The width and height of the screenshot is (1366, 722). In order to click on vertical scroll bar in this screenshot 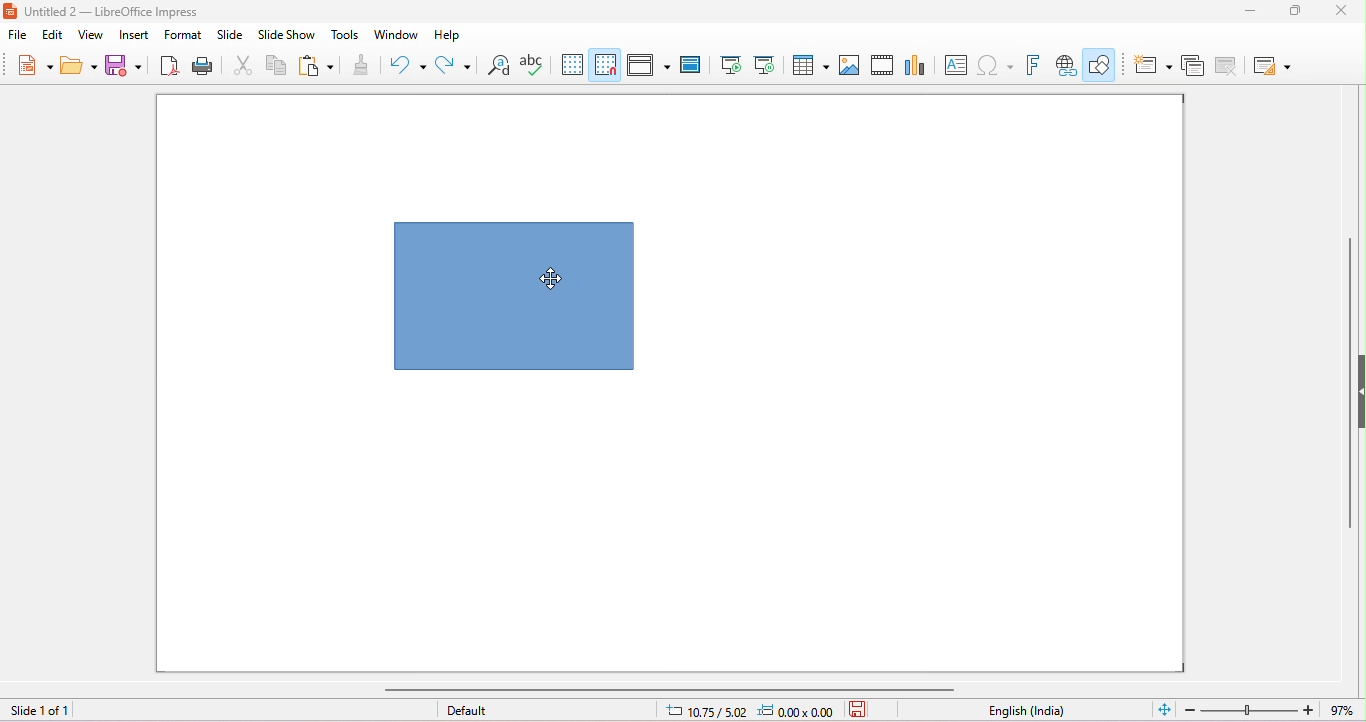, I will do `click(1347, 398)`.